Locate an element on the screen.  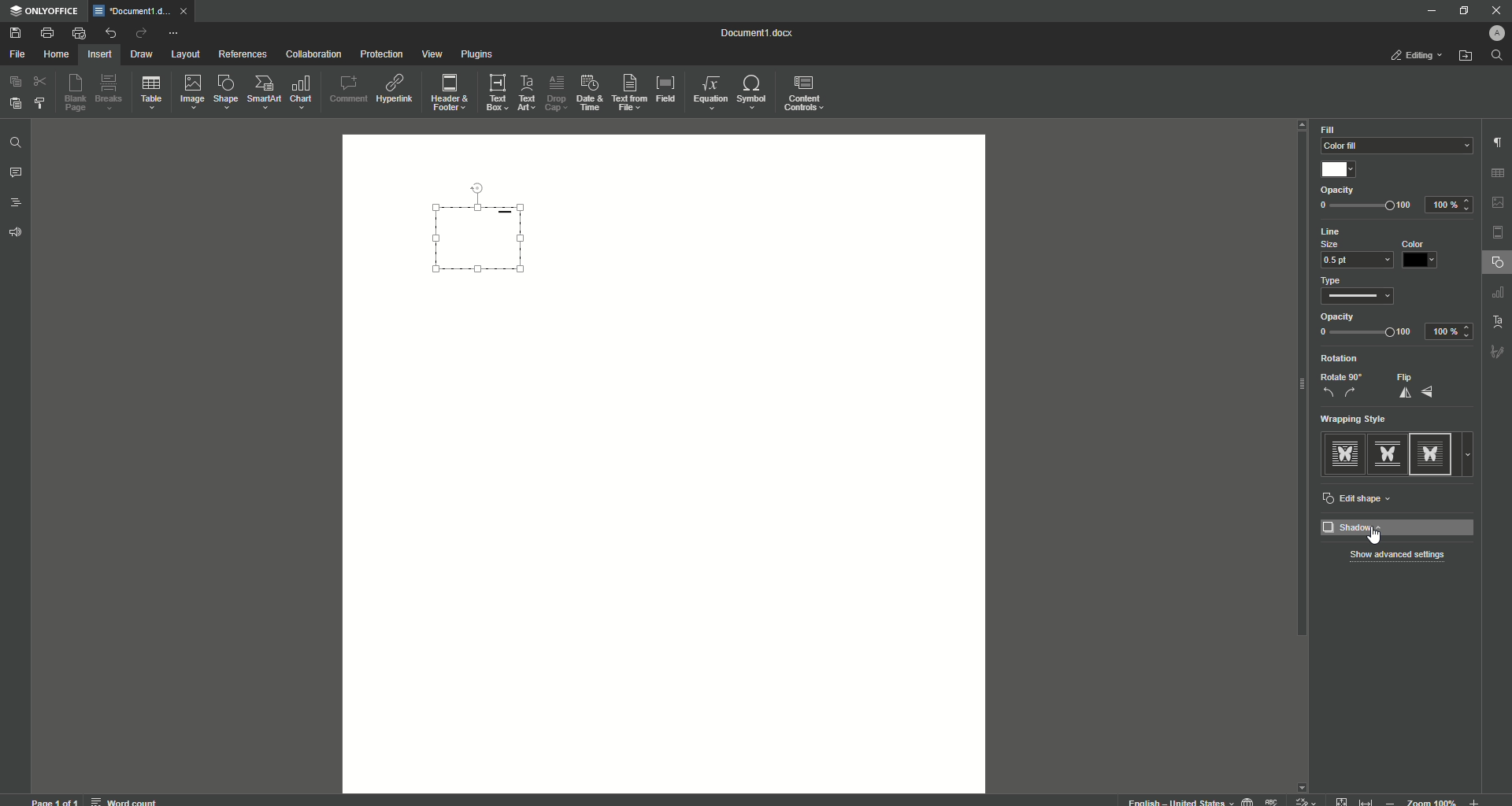
table is located at coordinates (1500, 171).